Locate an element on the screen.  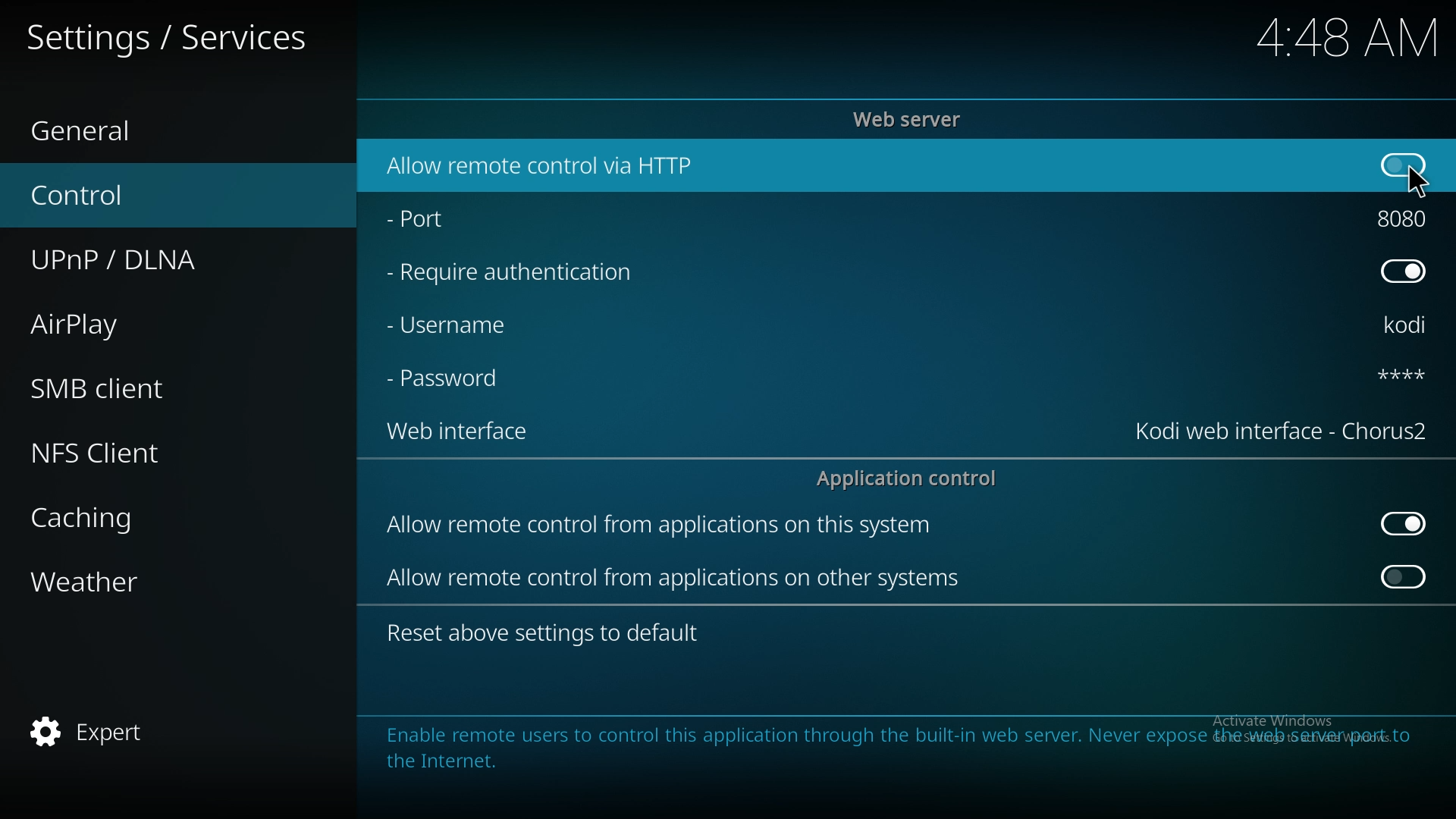
general is located at coordinates (107, 124).